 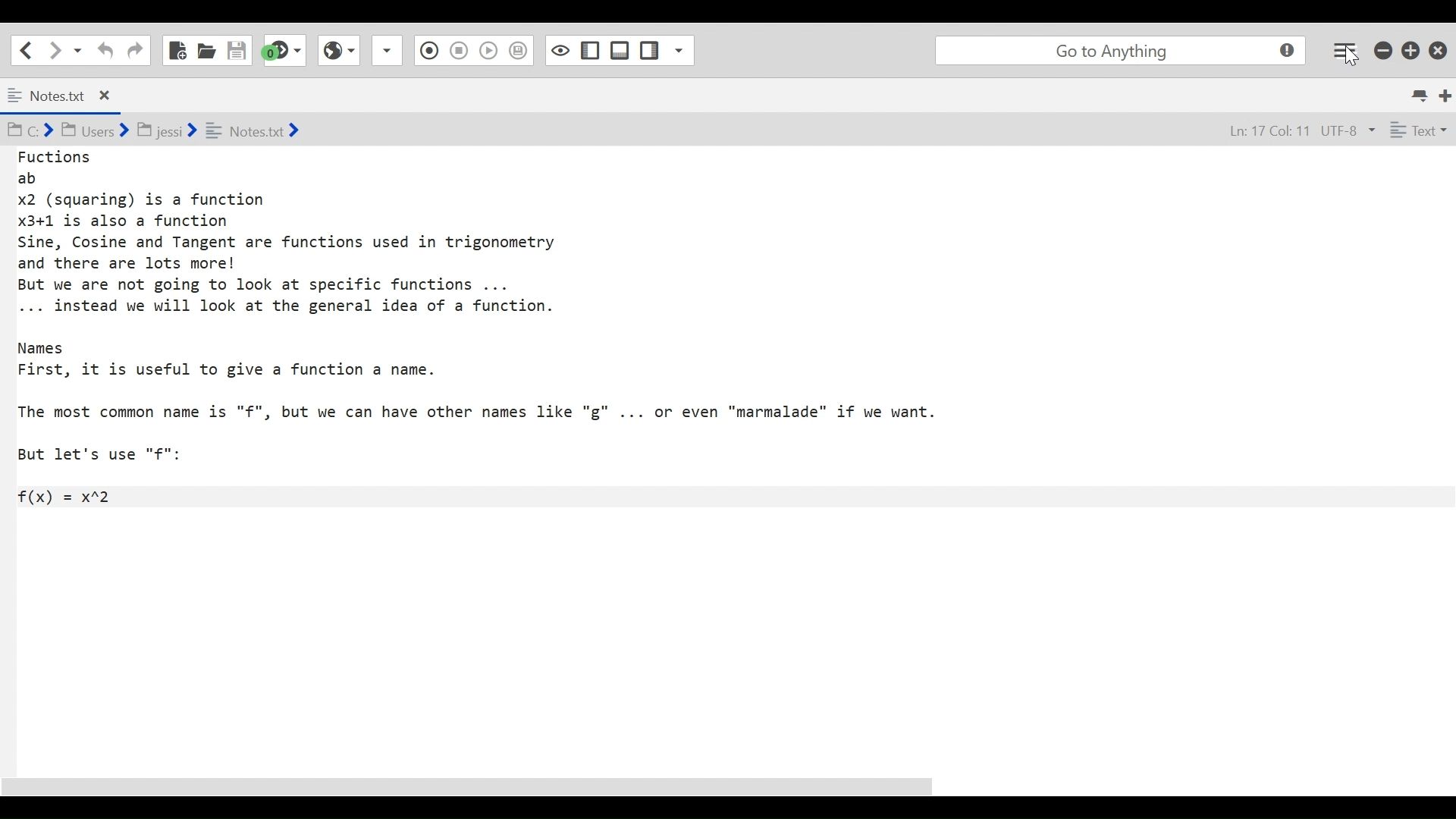 What do you see at coordinates (1385, 49) in the screenshot?
I see `minimize` at bounding box center [1385, 49].